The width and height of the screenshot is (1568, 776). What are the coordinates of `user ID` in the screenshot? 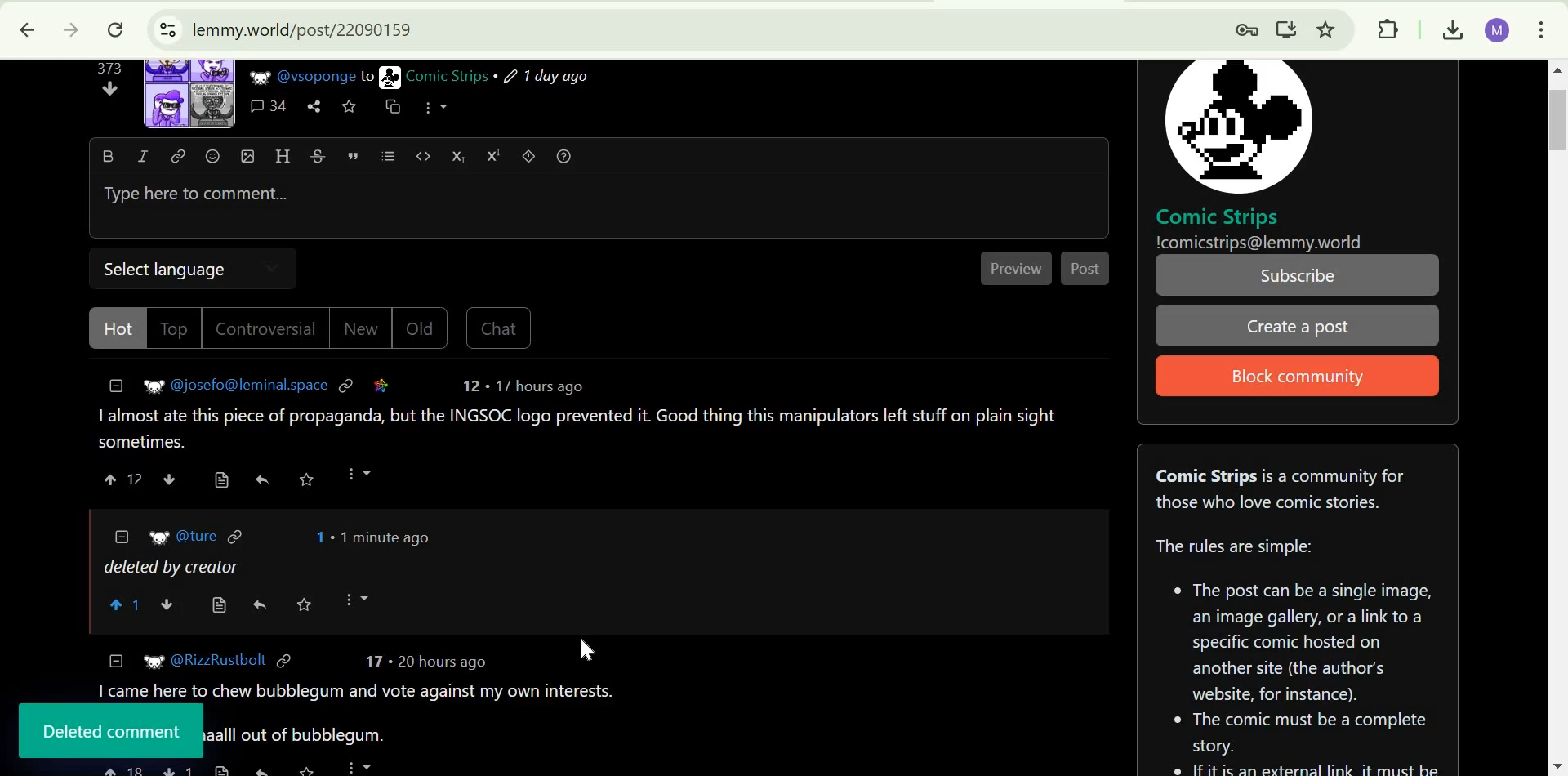 It's located at (251, 384).